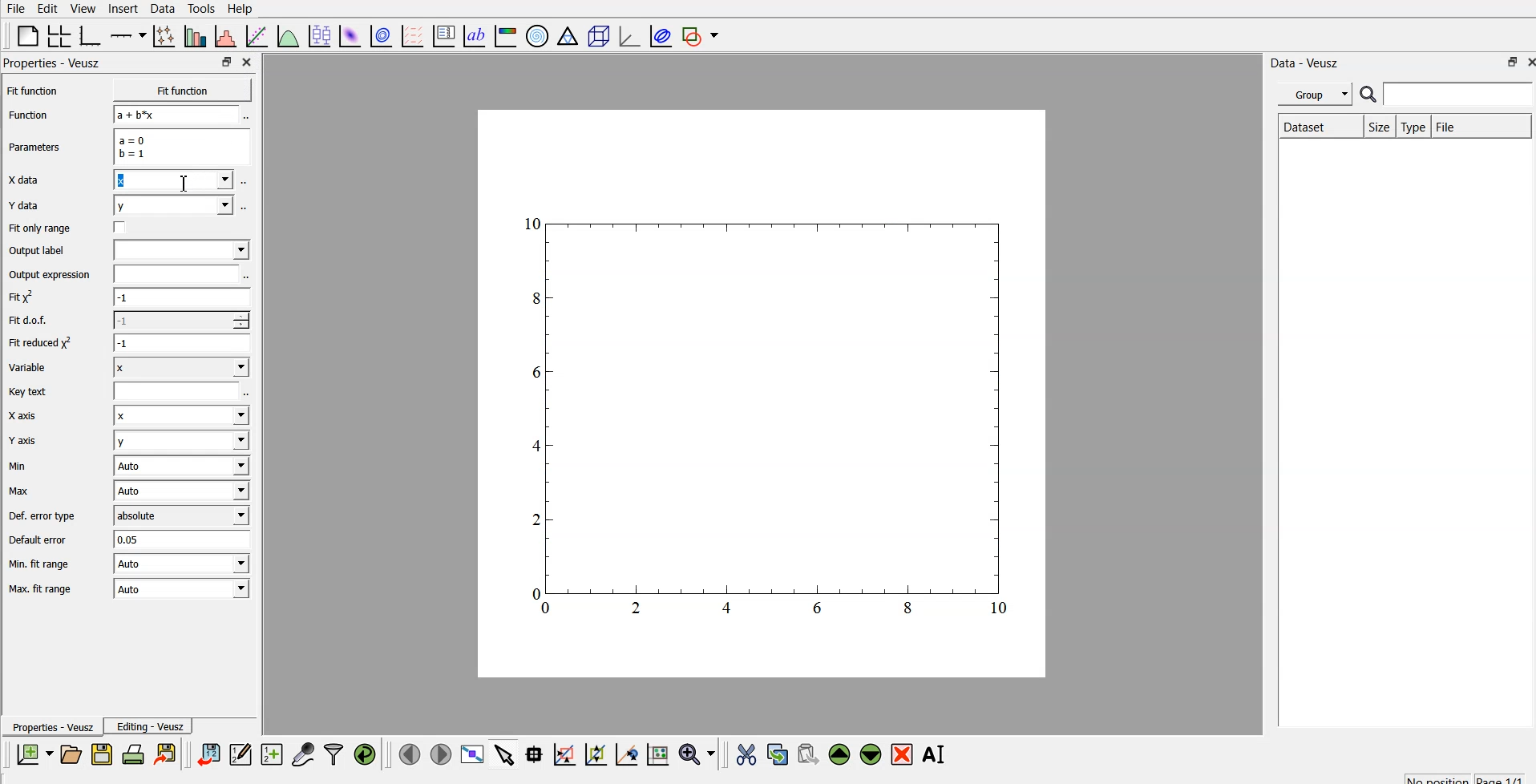 This screenshot has width=1536, height=784. What do you see at coordinates (81, 8) in the screenshot?
I see `view` at bounding box center [81, 8].